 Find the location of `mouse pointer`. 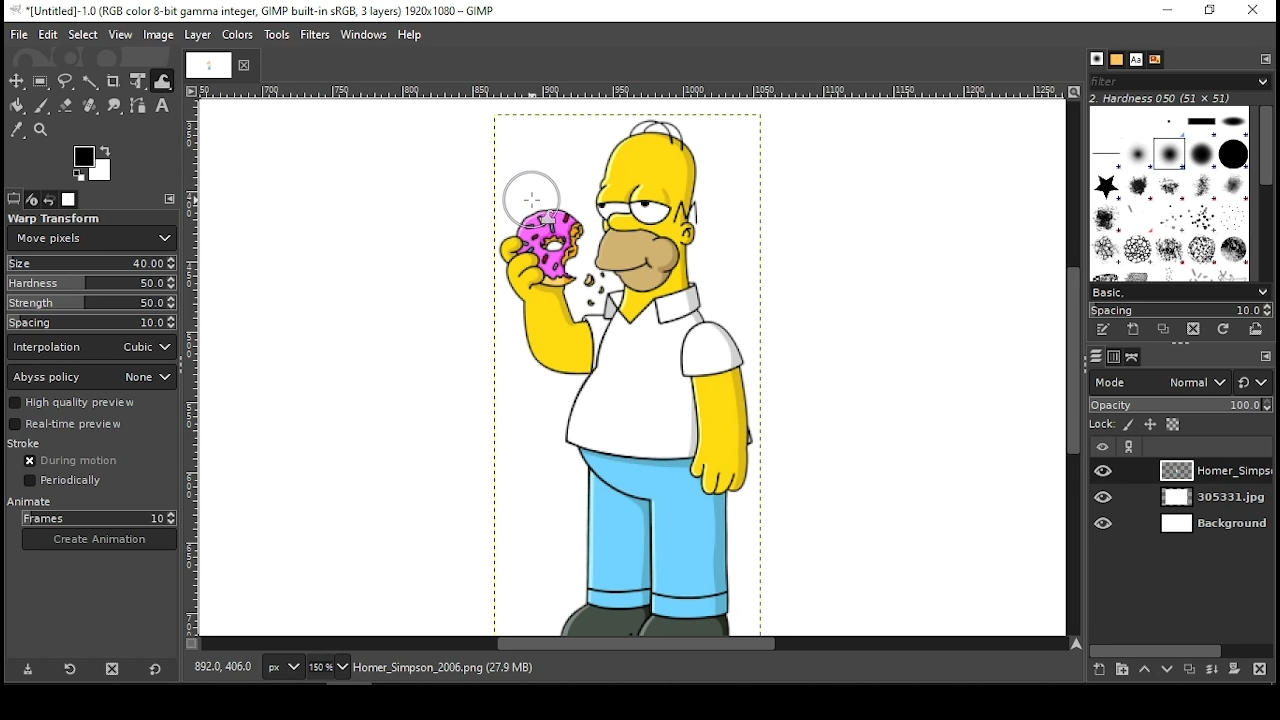

mouse pointer is located at coordinates (529, 199).